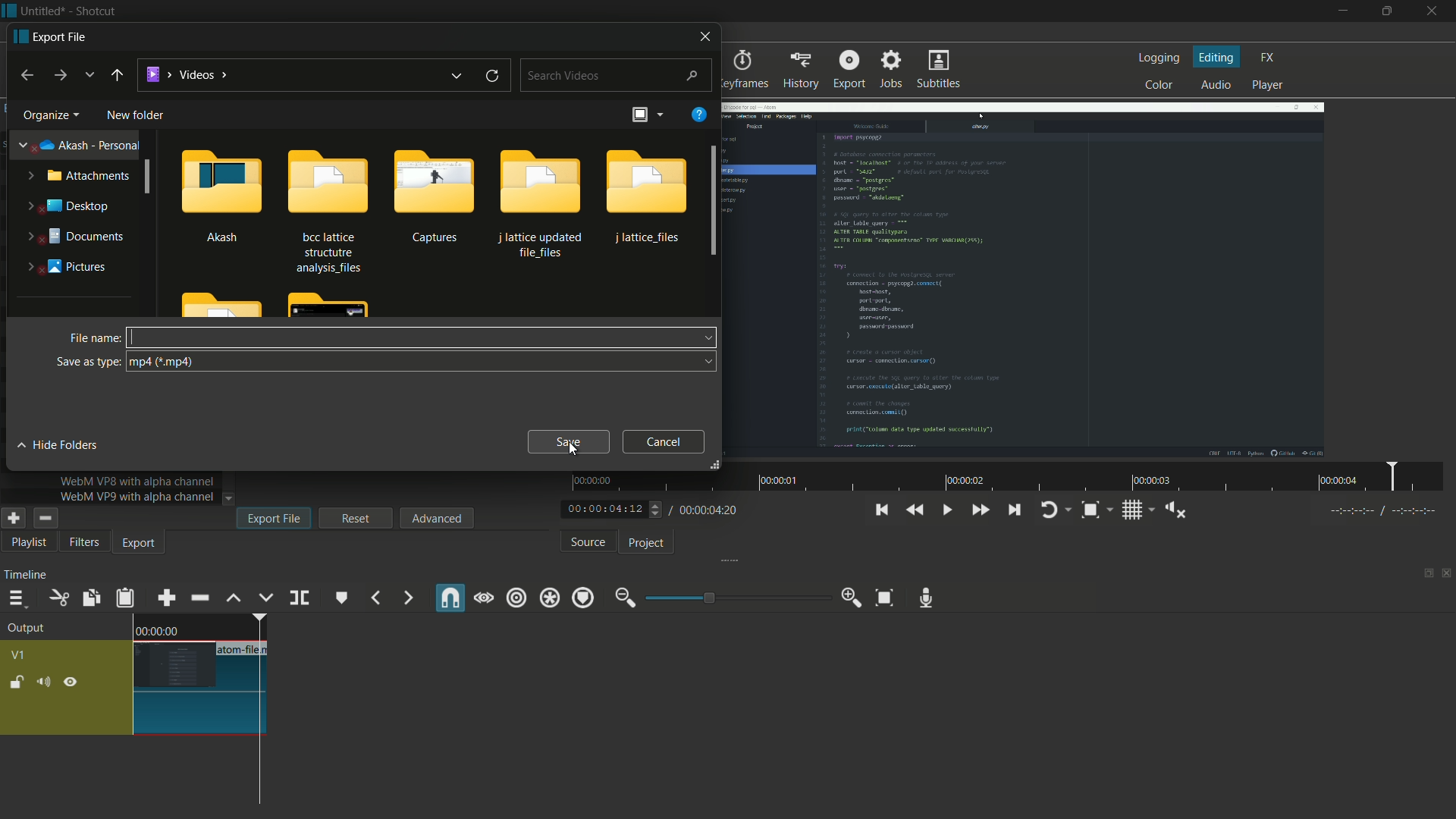 The width and height of the screenshot is (1456, 819). Describe the element at coordinates (151, 177) in the screenshot. I see `scroll bar` at that location.